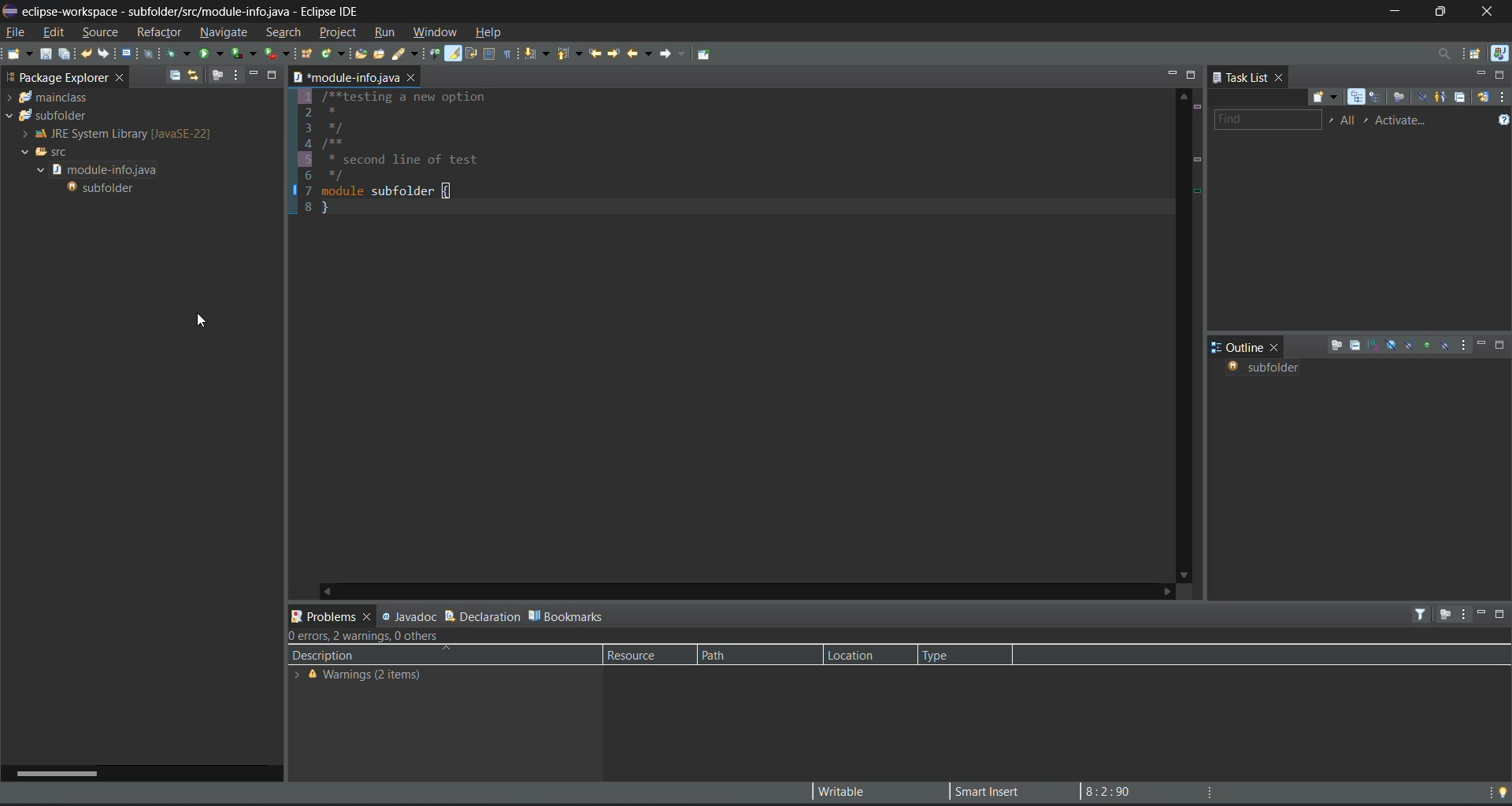 The image size is (1512, 806). I want to click on collapse all, so click(175, 75).